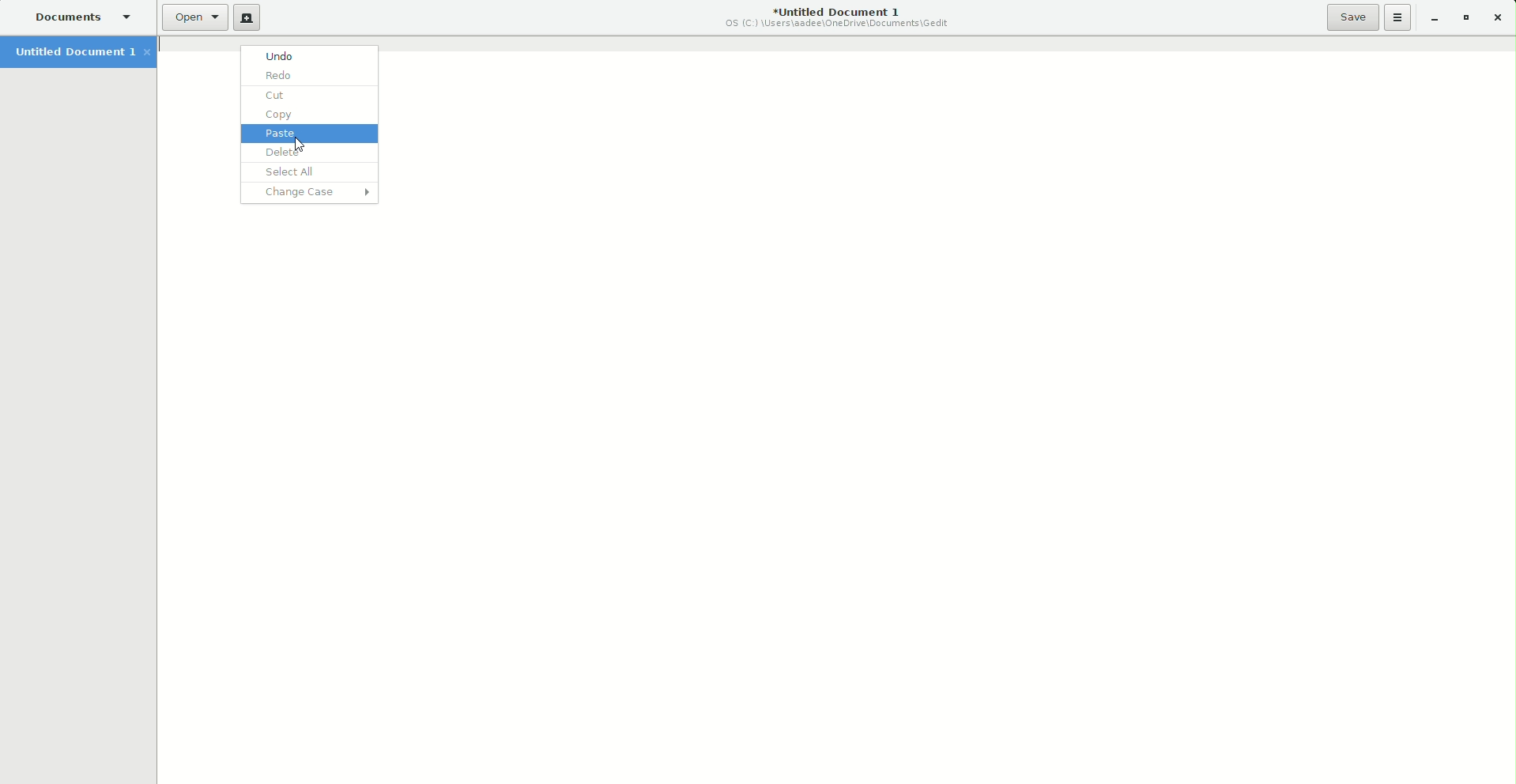  What do you see at coordinates (315, 194) in the screenshot?
I see `Change Case` at bounding box center [315, 194].